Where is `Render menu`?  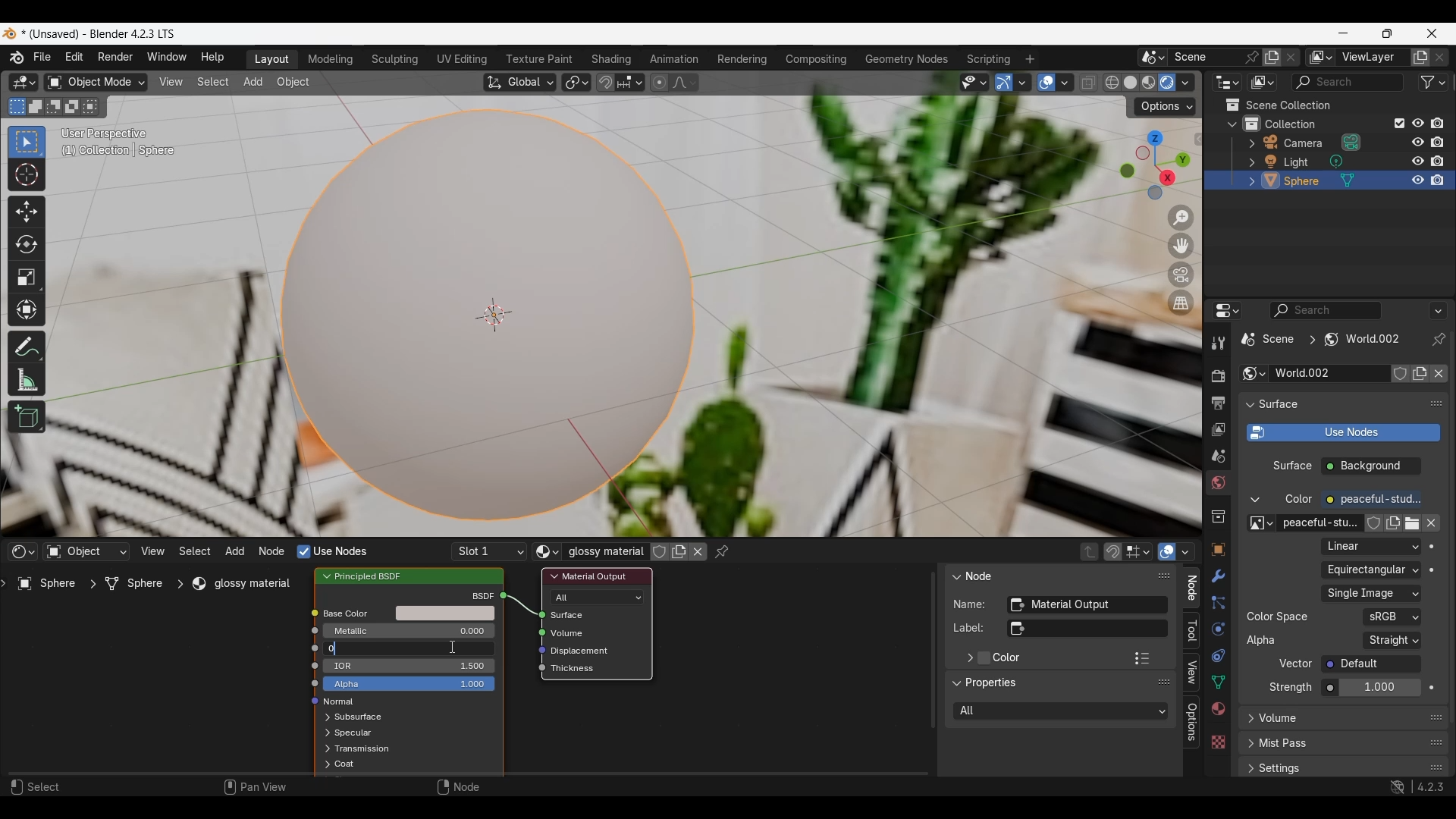
Render menu is located at coordinates (115, 58).